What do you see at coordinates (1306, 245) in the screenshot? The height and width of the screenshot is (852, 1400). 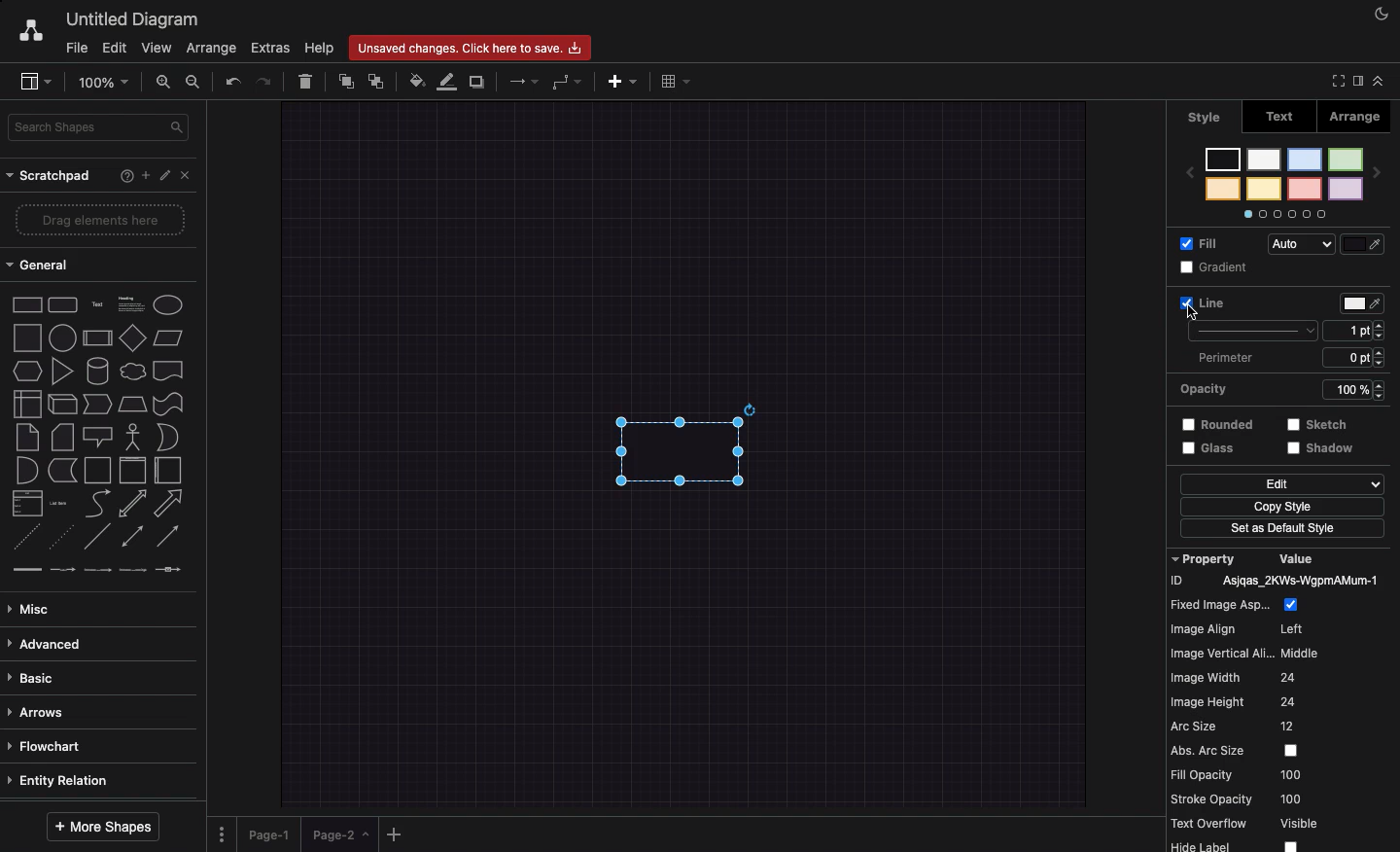 I see `Auto` at bounding box center [1306, 245].